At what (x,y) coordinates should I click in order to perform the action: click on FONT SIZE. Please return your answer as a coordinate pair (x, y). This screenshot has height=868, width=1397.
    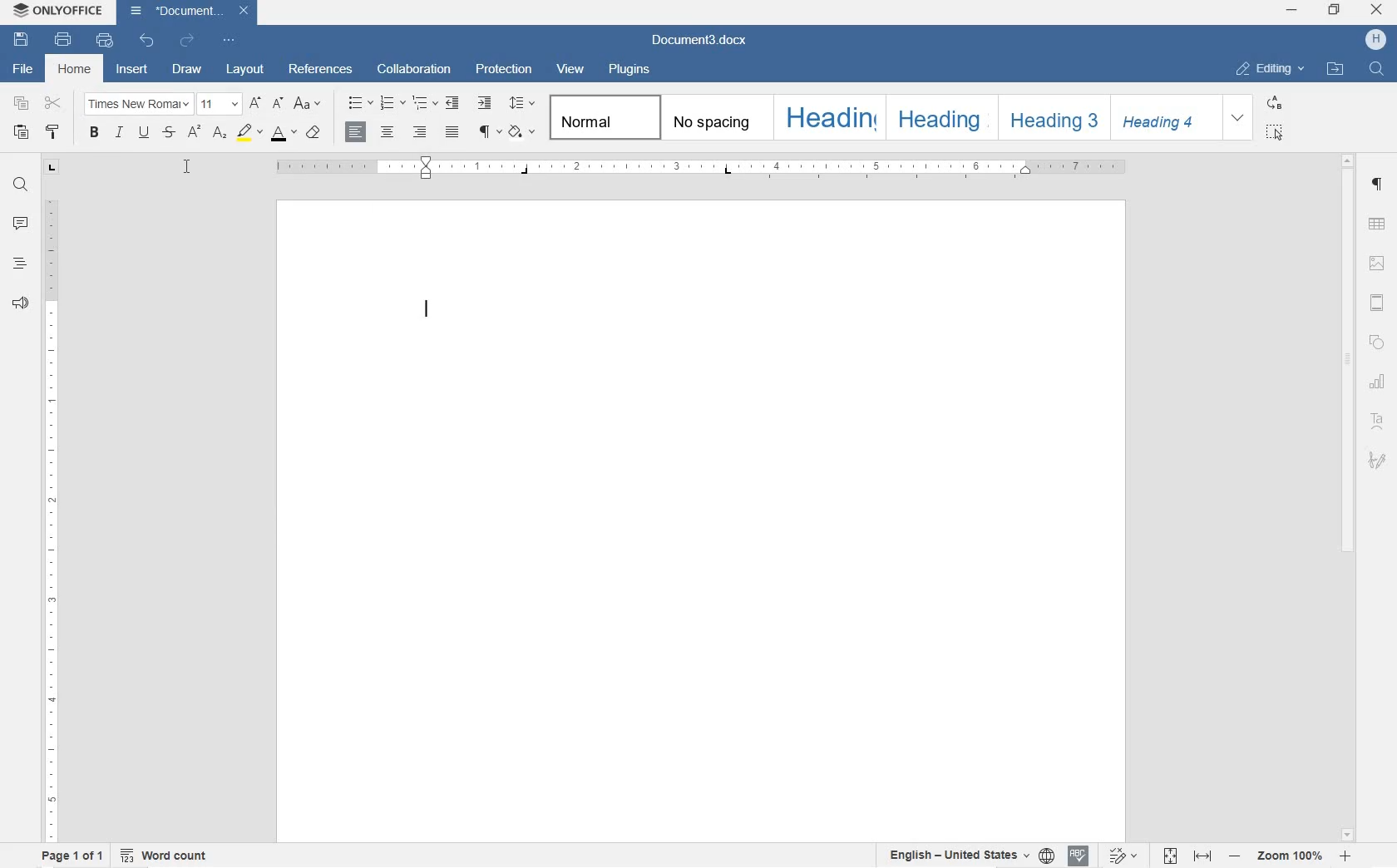
    Looking at the image, I should click on (219, 103).